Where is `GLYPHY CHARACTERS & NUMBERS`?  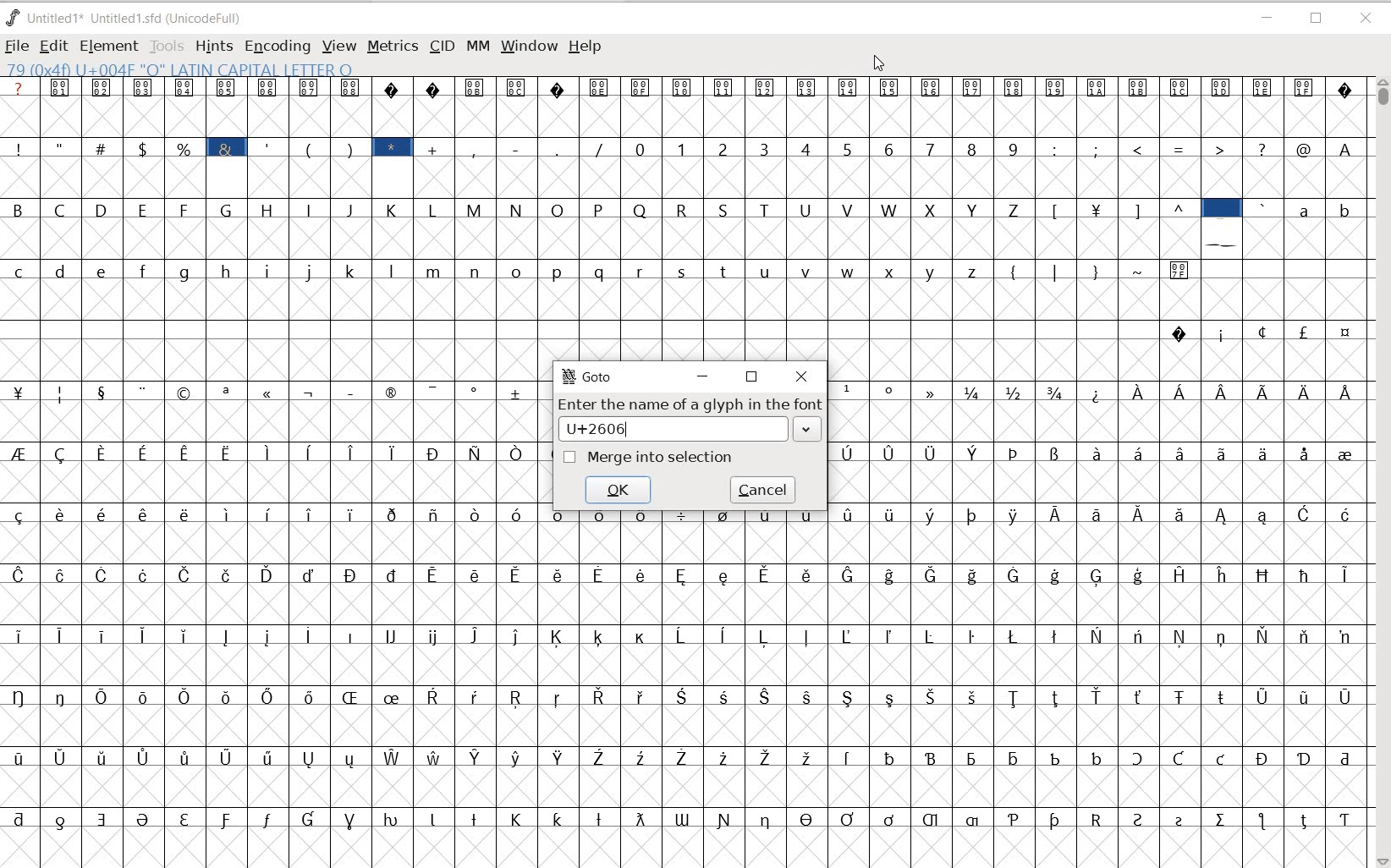 GLYPHY CHARACTERS & NUMBERS is located at coordinates (1099, 431).